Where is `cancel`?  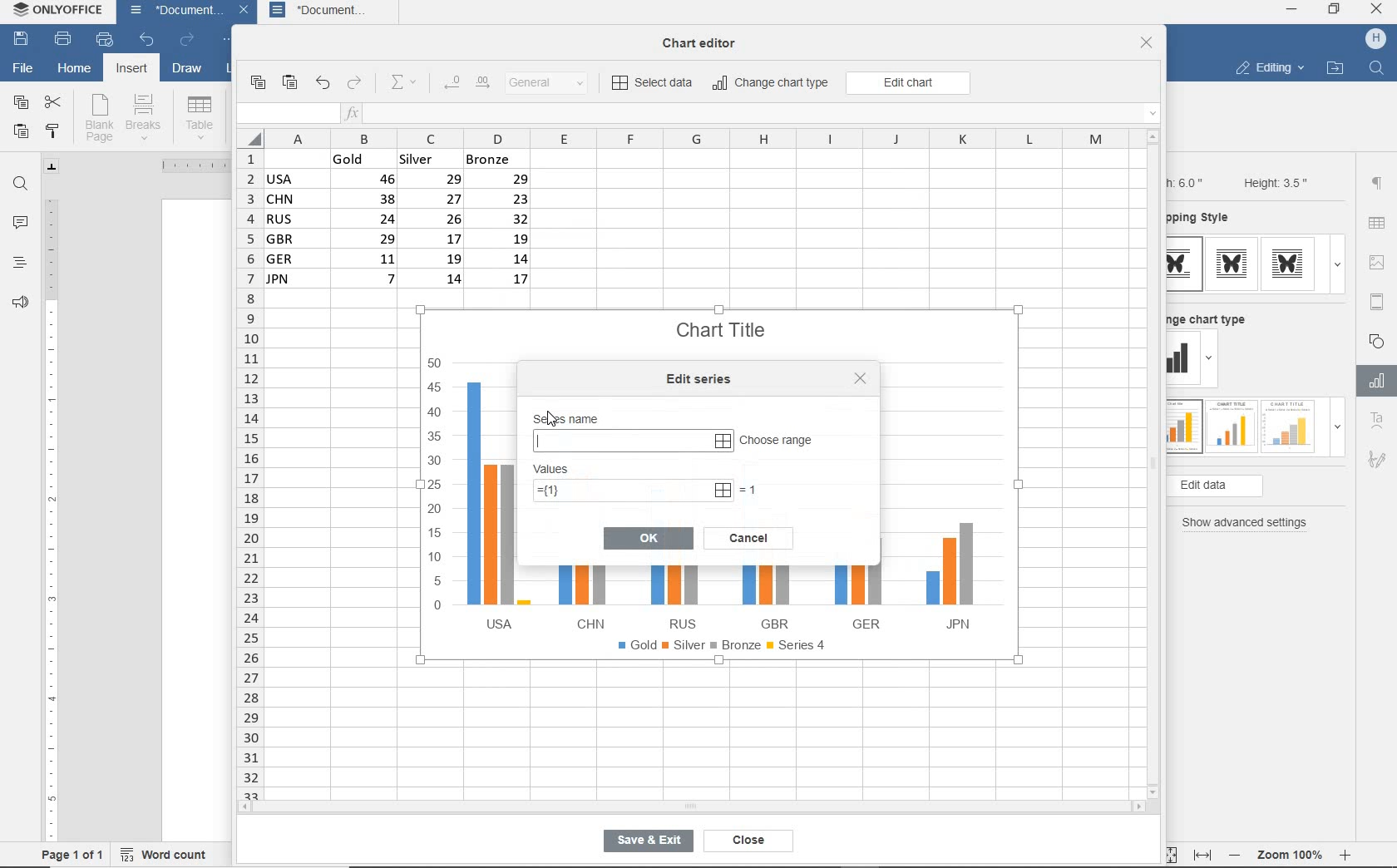
cancel is located at coordinates (748, 536).